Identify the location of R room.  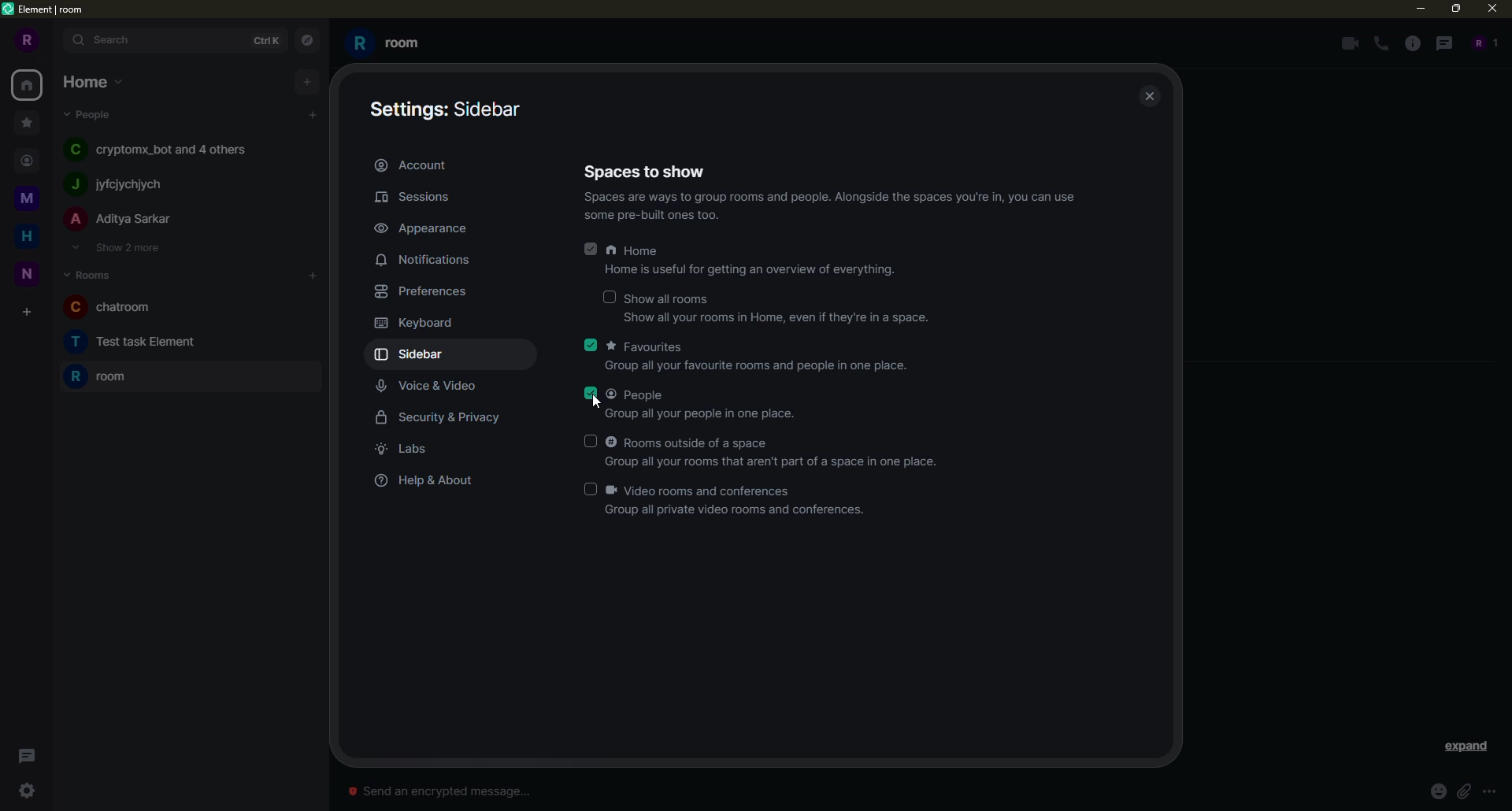
(101, 379).